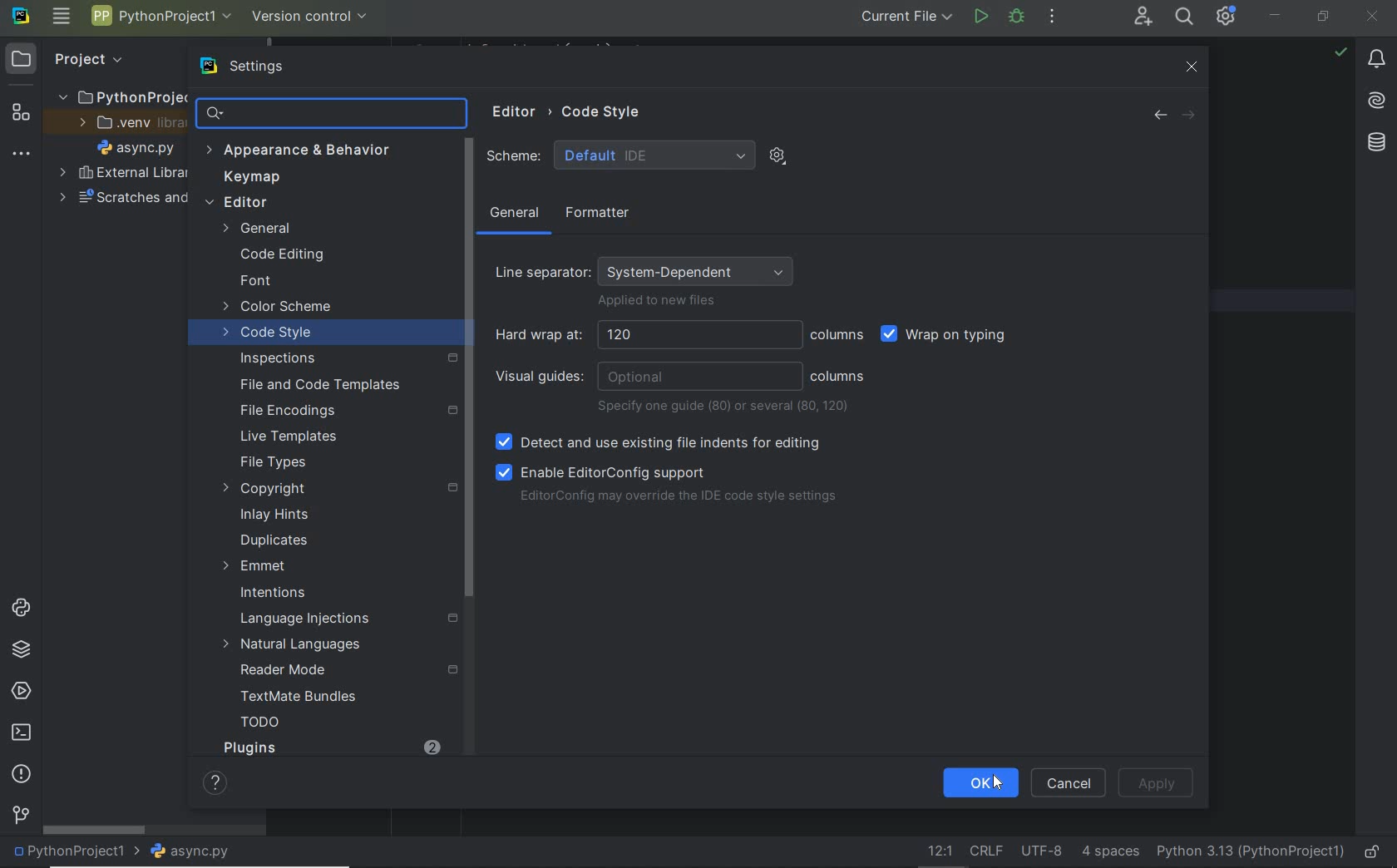 This screenshot has width=1397, height=868. What do you see at coordinates (210, 782) in the screenshot?
I see `Help` at bounding box center [210, 782].